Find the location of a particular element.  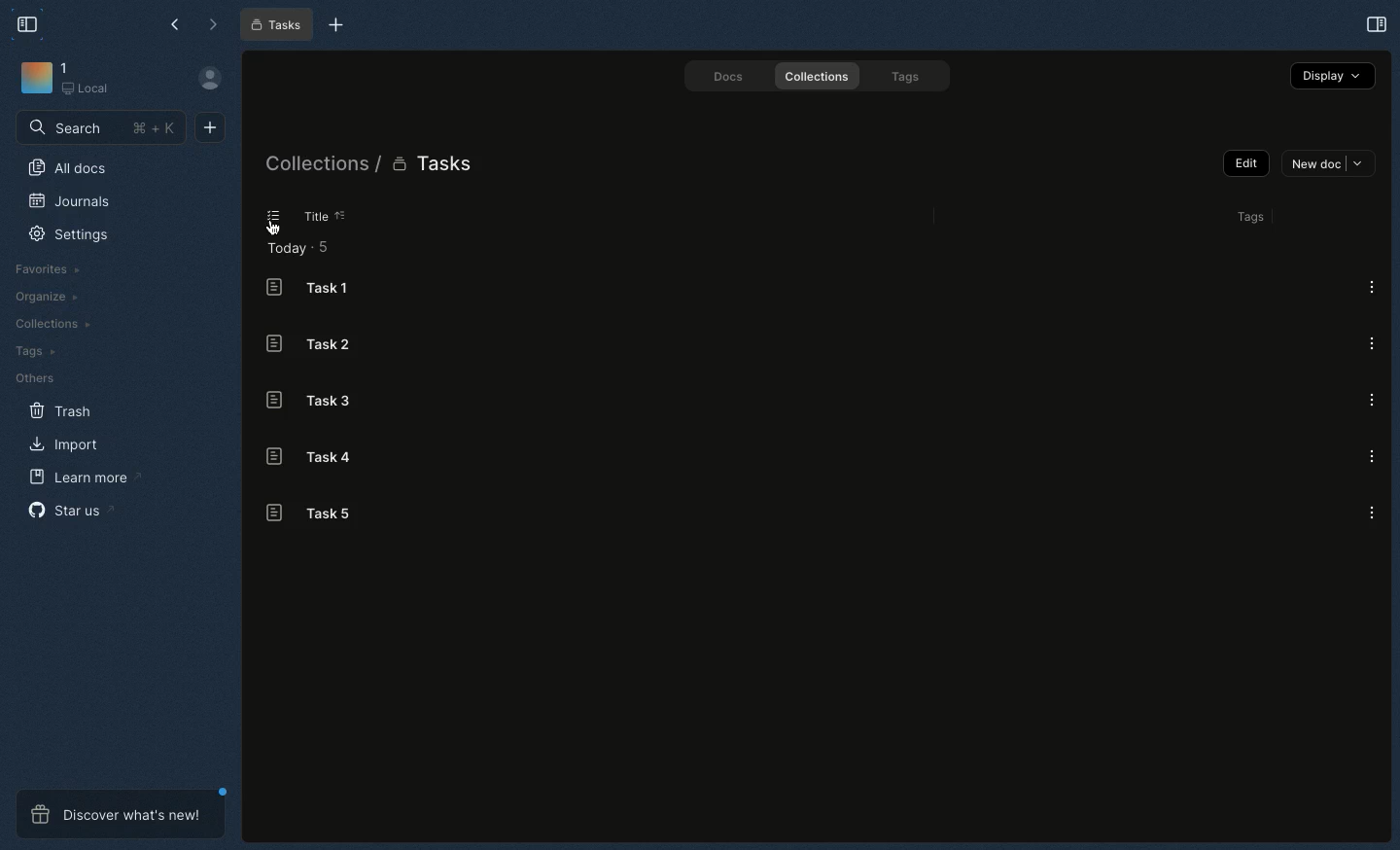

Star us is located at coordinates (69, 512).